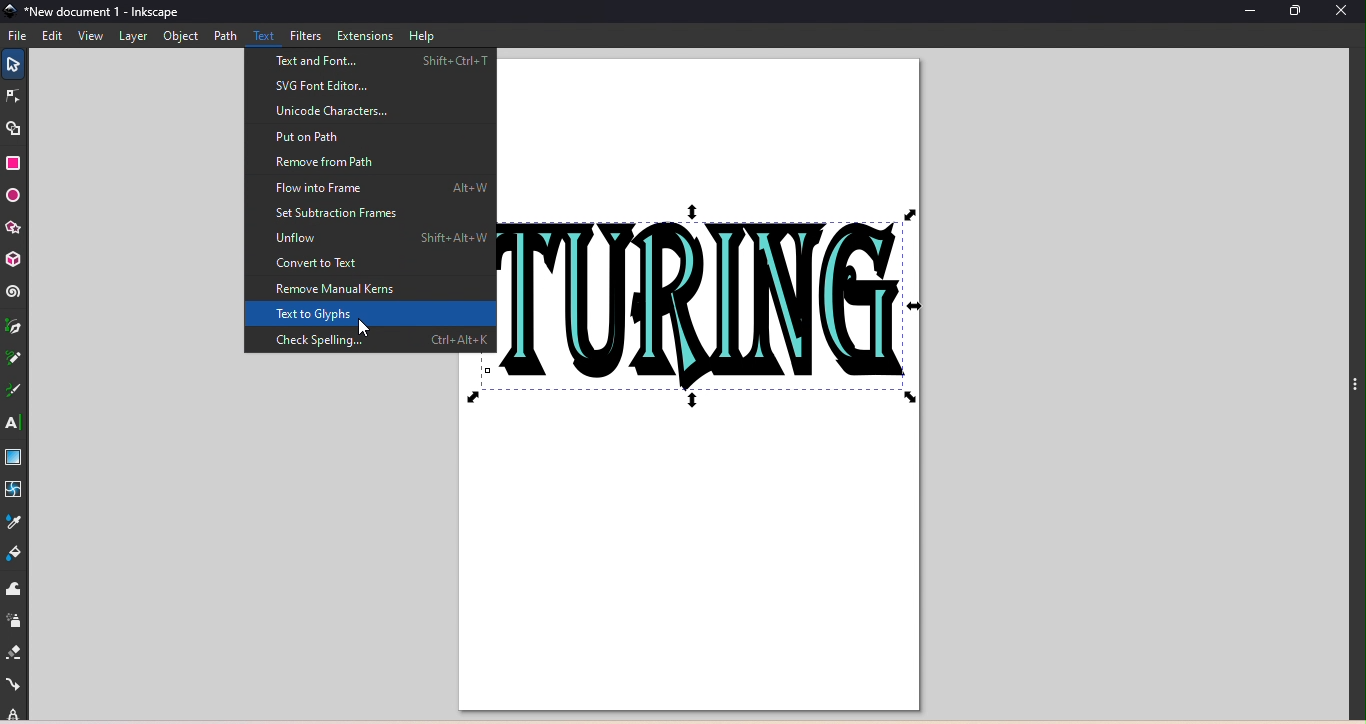 This screenshot has width=1366, height=724. I want to click on Calligraphy tool, so click(17, 392).